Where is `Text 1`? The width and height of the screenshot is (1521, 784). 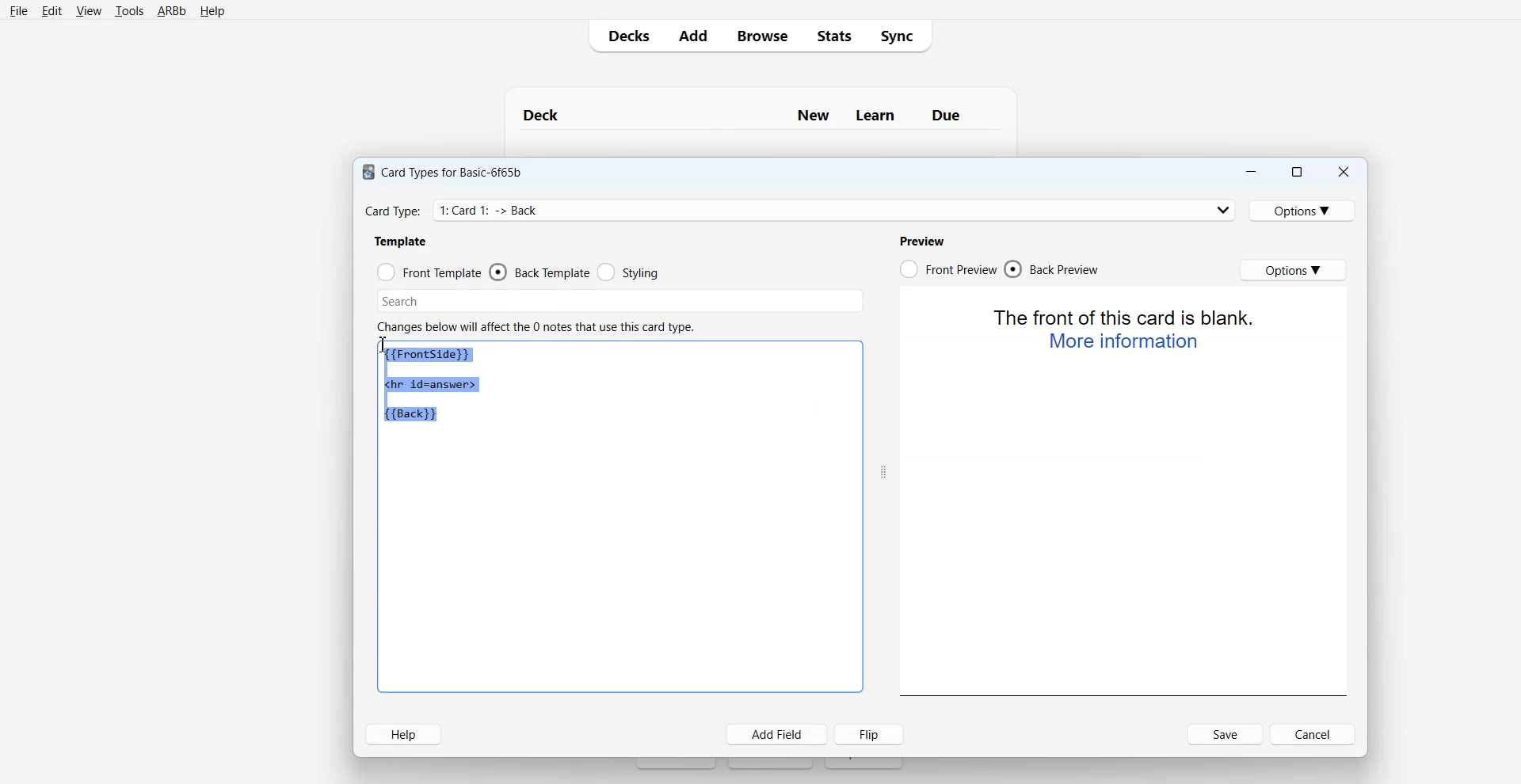 Text 1 is located at coordinates (448, 169).